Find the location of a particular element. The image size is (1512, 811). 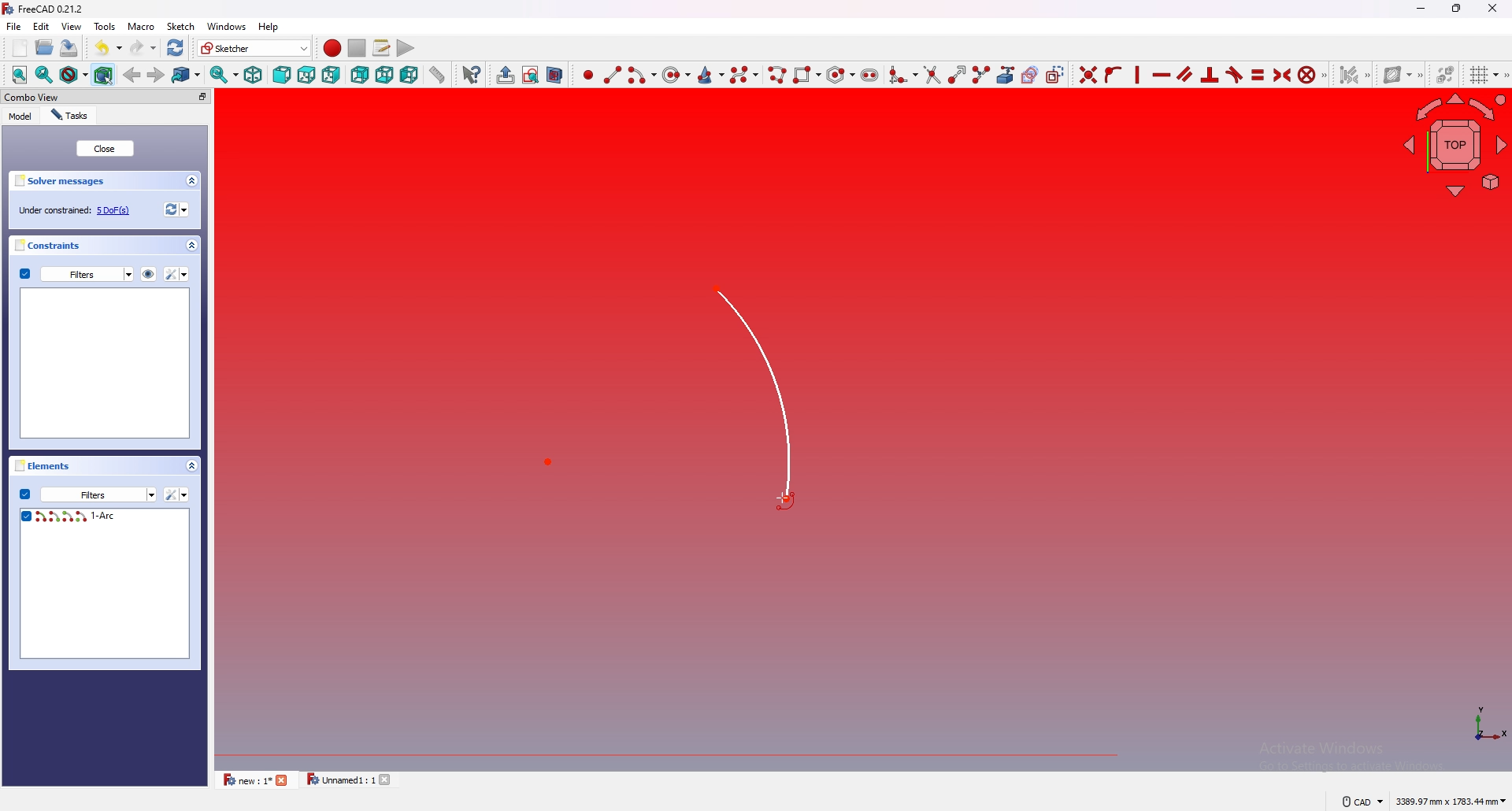

trim edge is located at coordinates (930, 73).